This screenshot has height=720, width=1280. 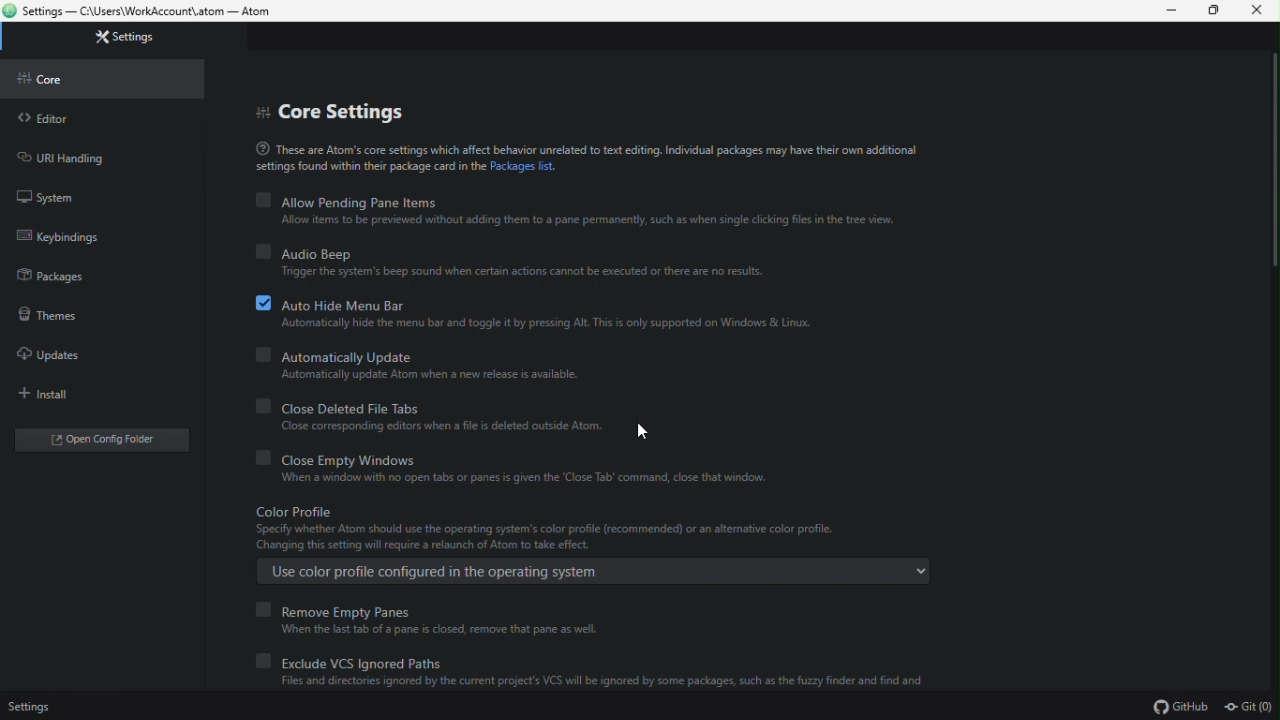 What do you see at coordinates (307, 253) in the screenshot?
I see `Audio Beep` at bounding box center [307, 253].